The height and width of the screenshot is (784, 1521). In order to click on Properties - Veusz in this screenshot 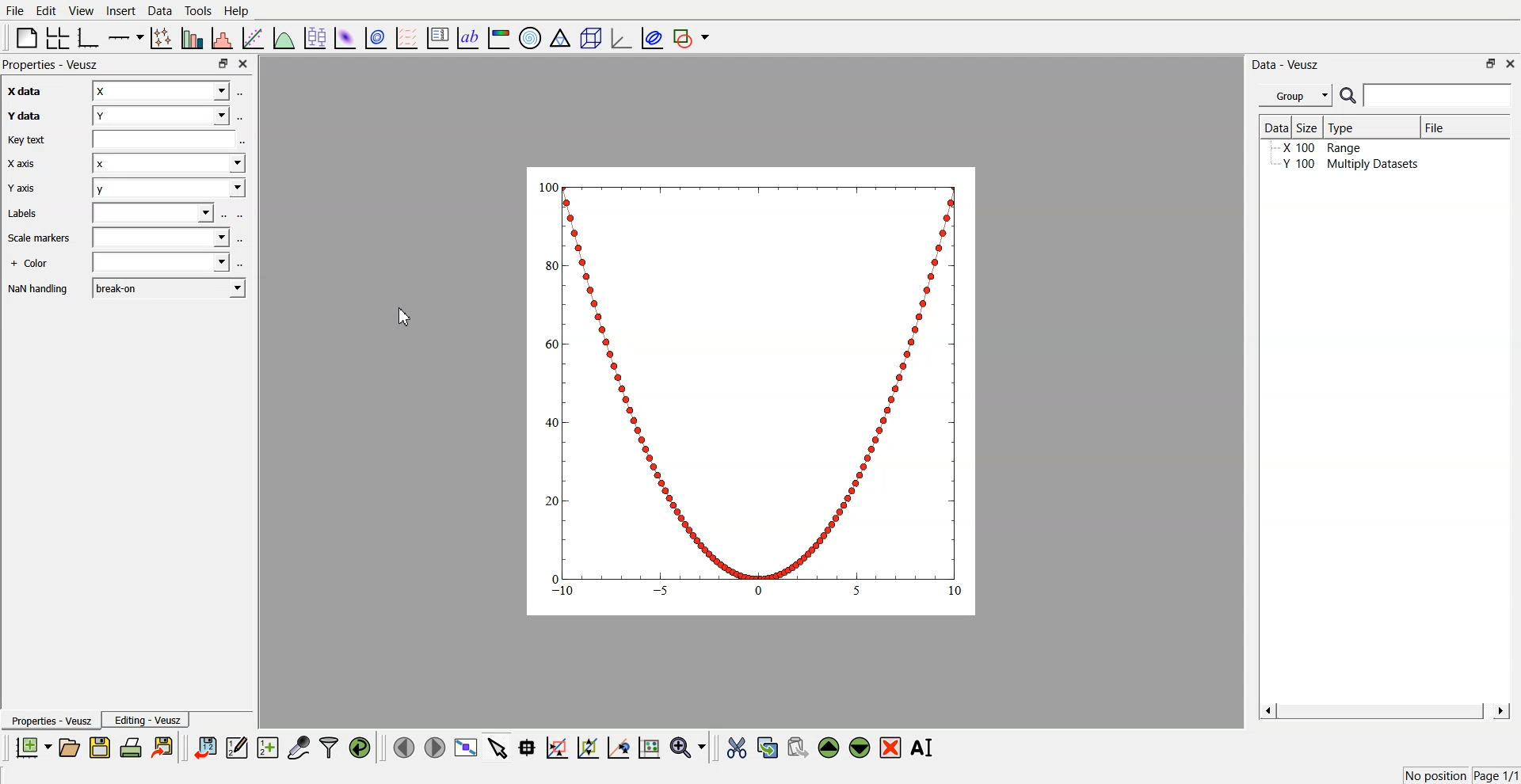, I will do `click(55, 65)`.